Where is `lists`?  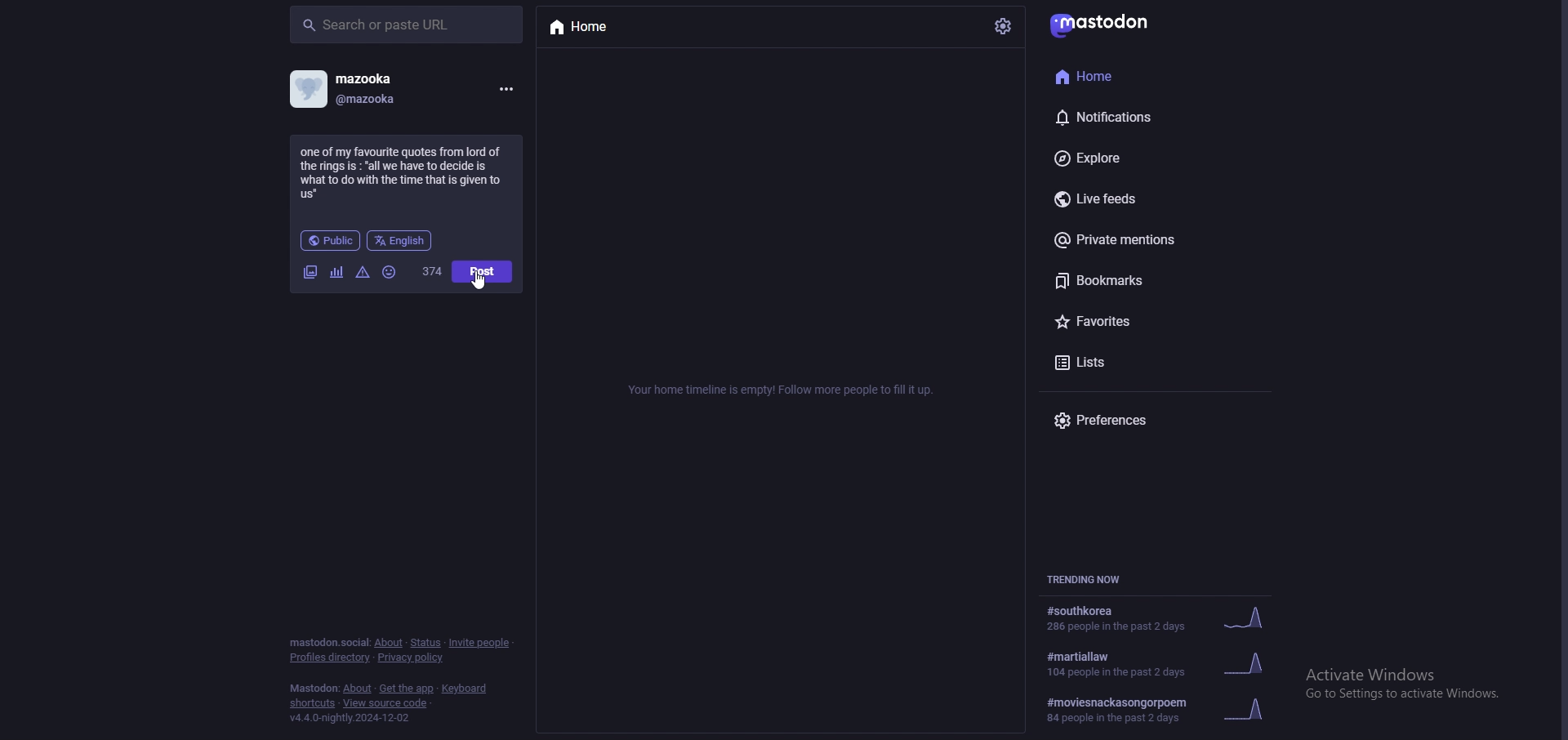 lists is located at coordinates (1133, 362).